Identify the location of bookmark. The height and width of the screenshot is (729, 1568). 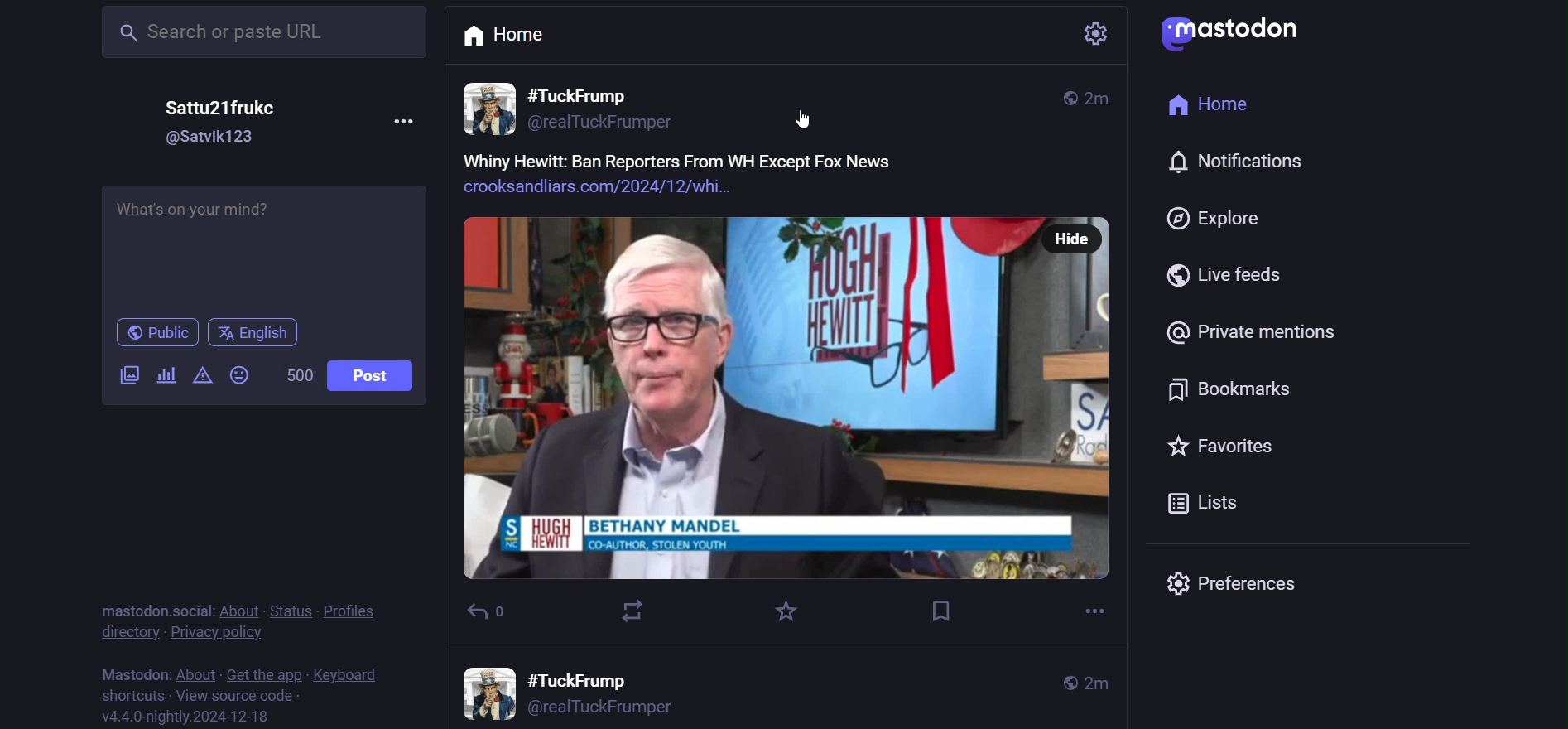
(938, 612).